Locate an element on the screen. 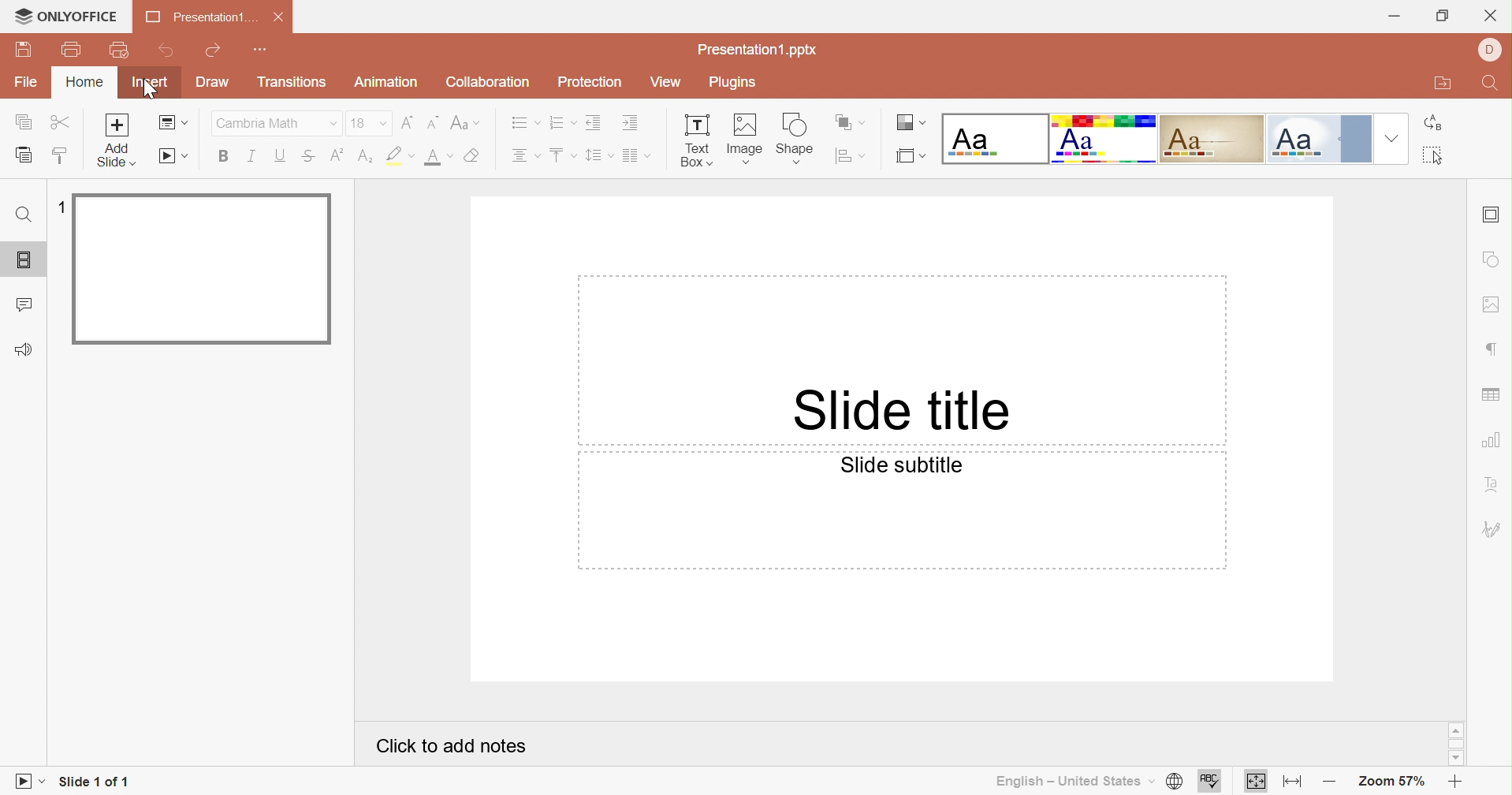 The width and height of the screenshot is (1512, 795). shape settings is located at coordinates (1492, 259).